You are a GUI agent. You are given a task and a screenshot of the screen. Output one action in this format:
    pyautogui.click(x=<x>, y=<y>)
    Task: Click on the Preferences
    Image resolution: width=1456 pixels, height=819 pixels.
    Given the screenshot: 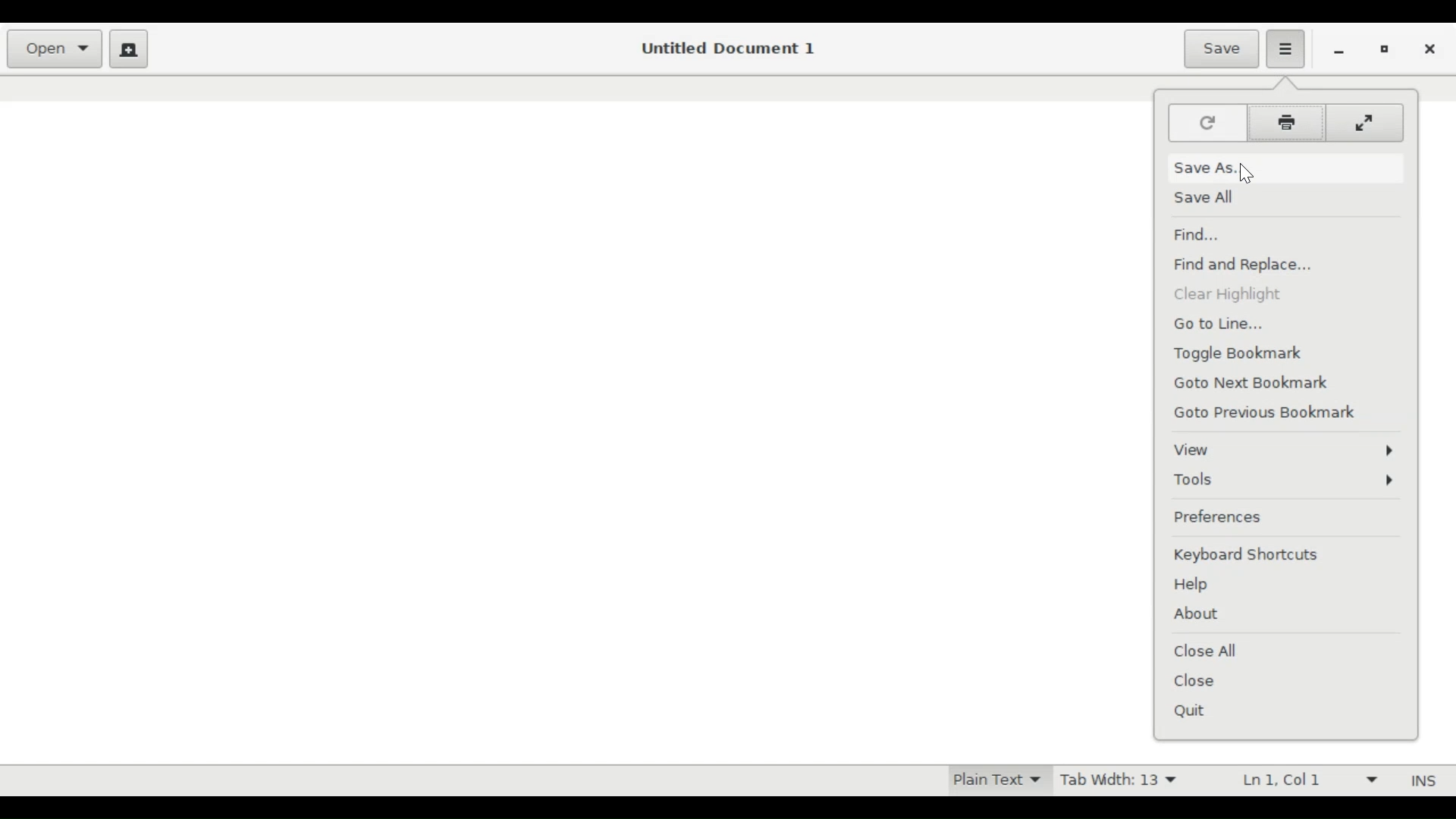 What is the action you would take?
    pyautogui.click(x=1223, y=517)
    